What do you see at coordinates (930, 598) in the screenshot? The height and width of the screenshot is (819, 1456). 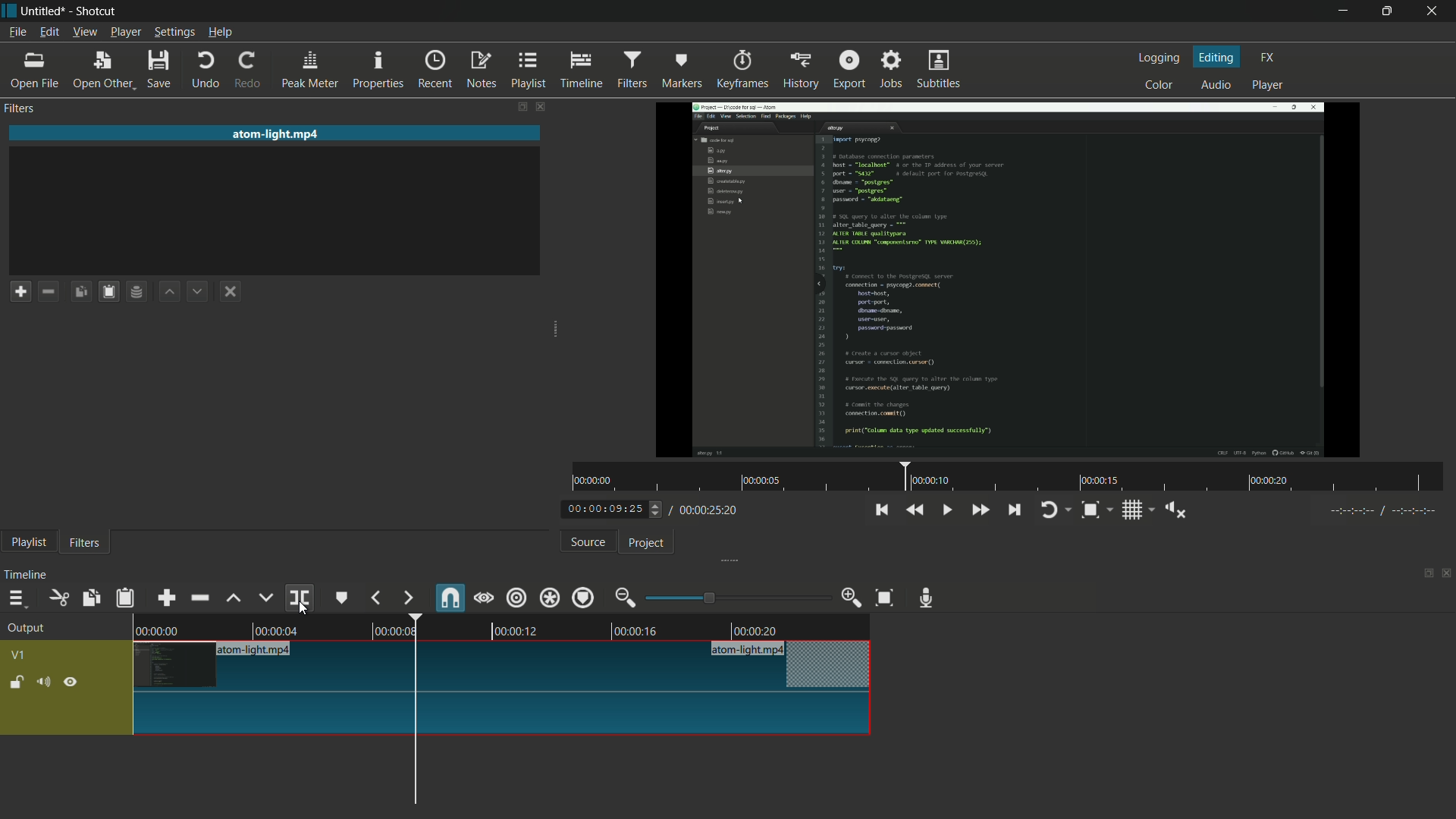 I see `record audio` at bounding box center [930, 598].